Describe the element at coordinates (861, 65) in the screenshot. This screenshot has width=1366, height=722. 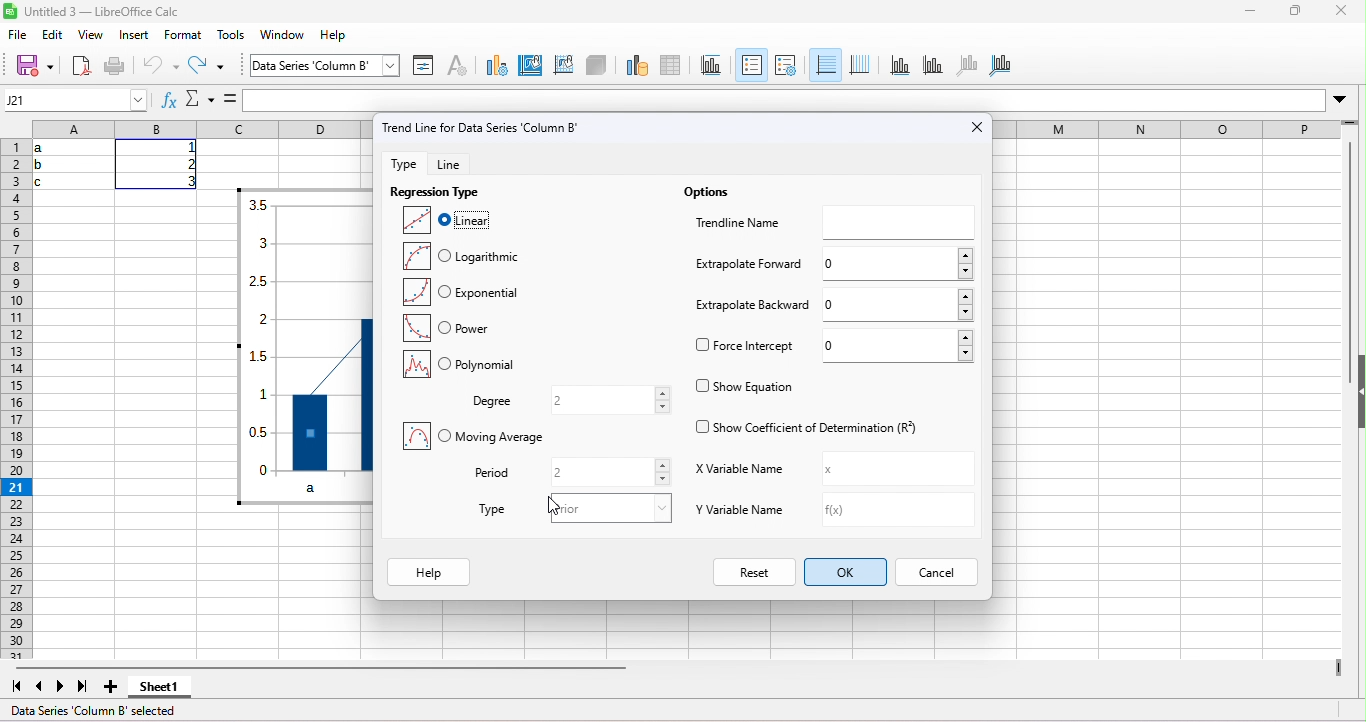
I see `vertical grides` at that location.